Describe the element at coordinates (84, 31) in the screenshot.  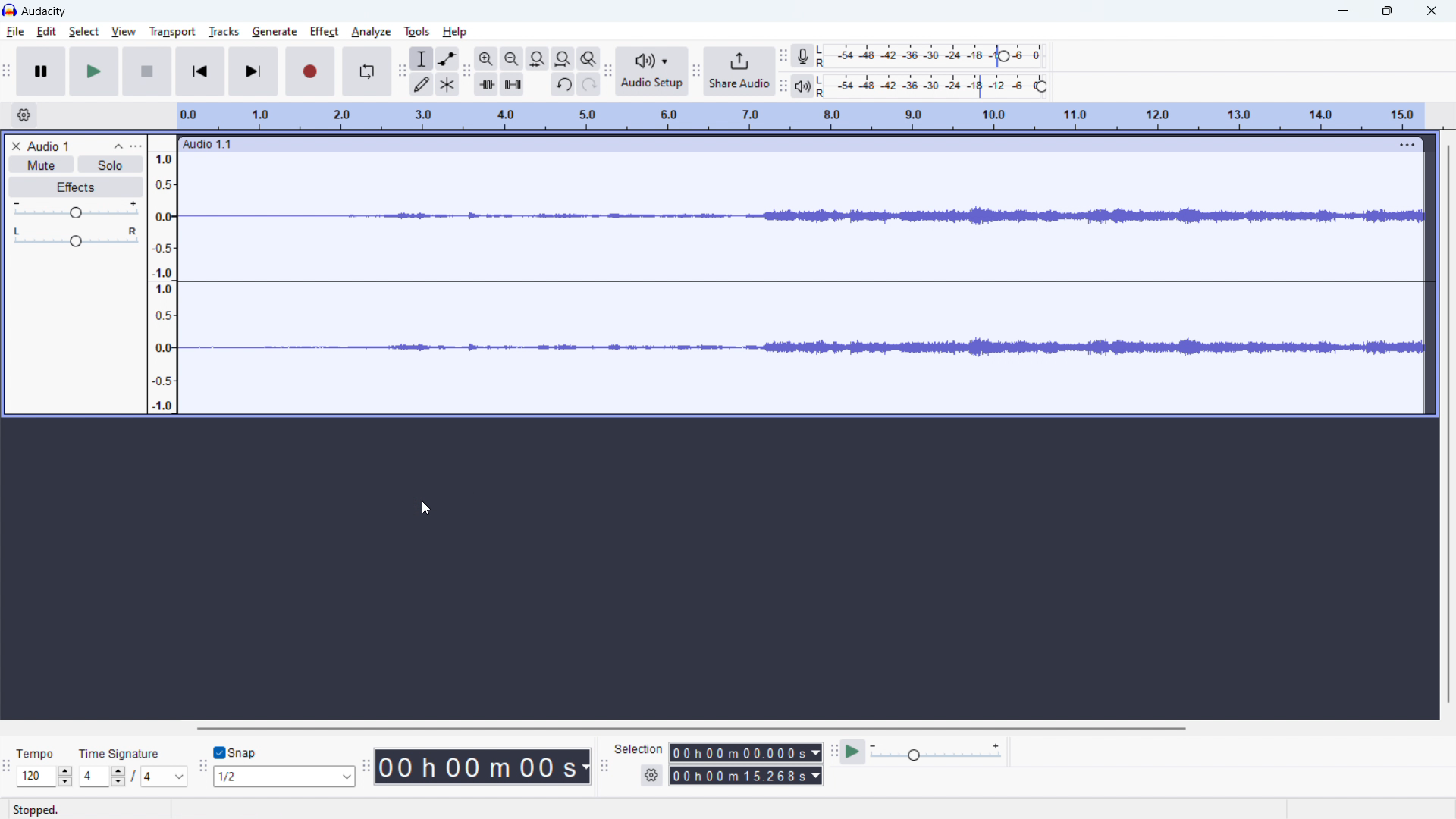
I see `select` at that location.